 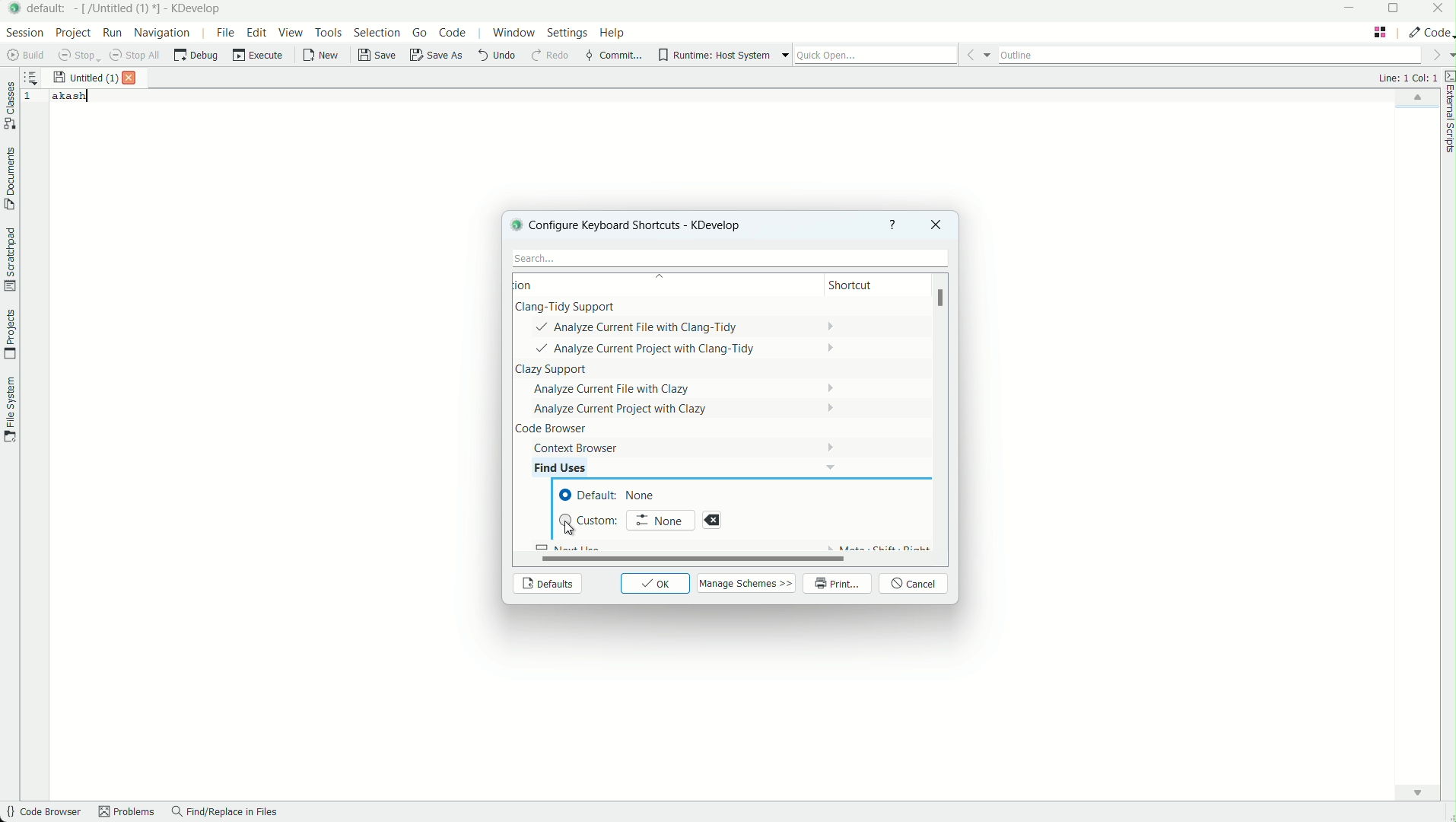 I want to click on close app, so click(x=1439, y=10).